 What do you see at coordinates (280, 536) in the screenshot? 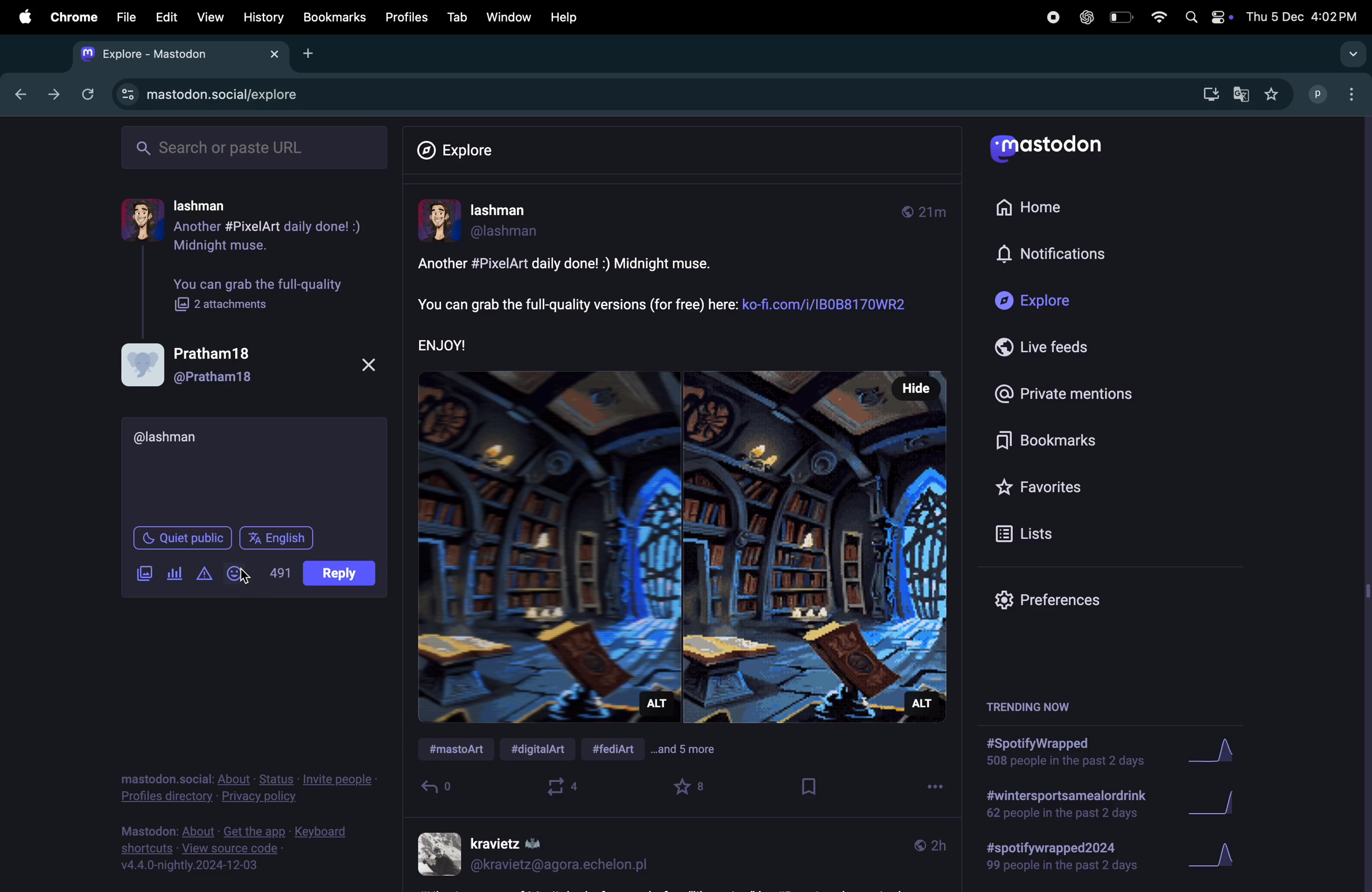
I see `english` at bounding box center [280, 536].